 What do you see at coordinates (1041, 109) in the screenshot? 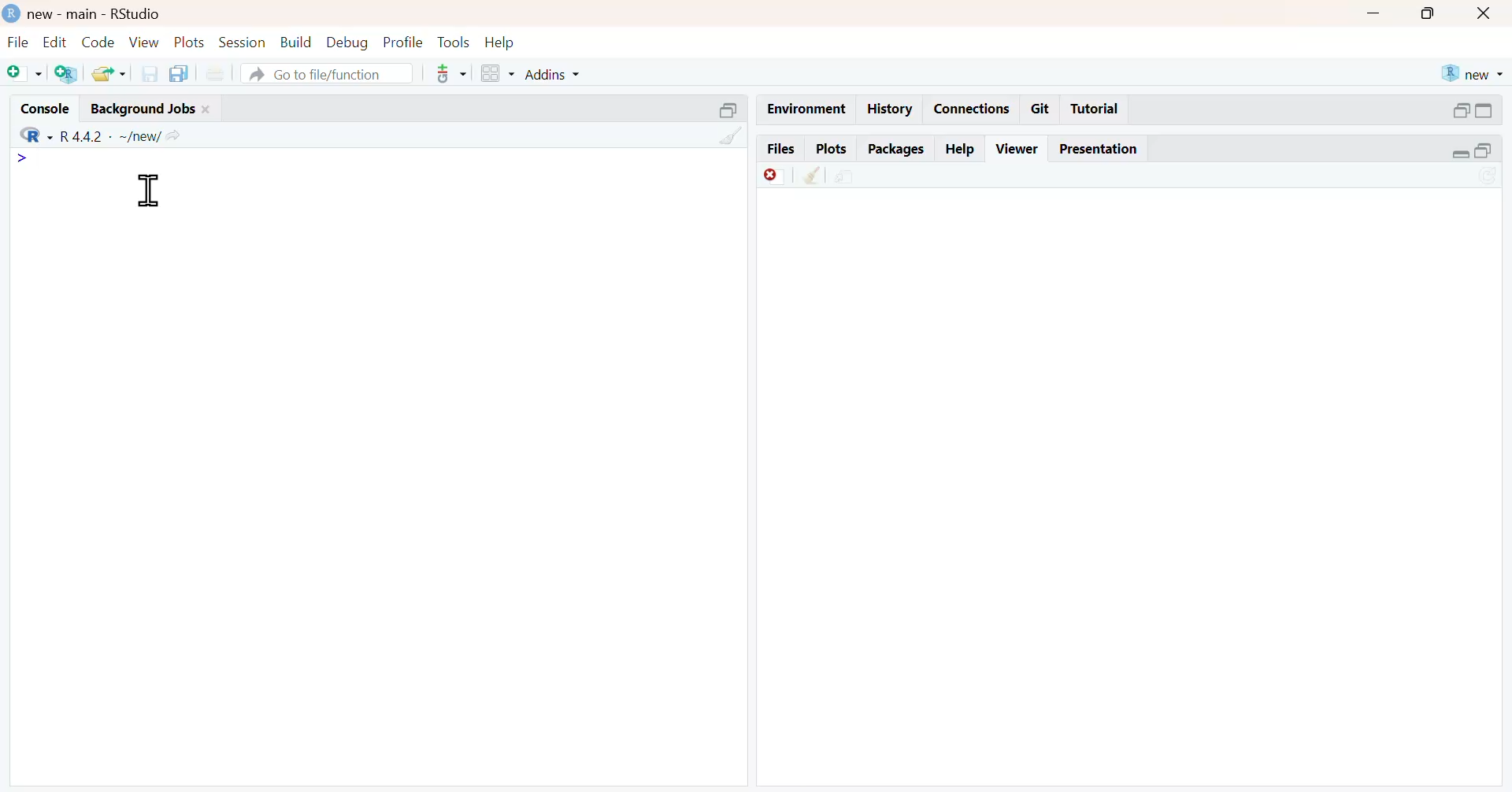
I see `git` at bounding box center [1041, 109].